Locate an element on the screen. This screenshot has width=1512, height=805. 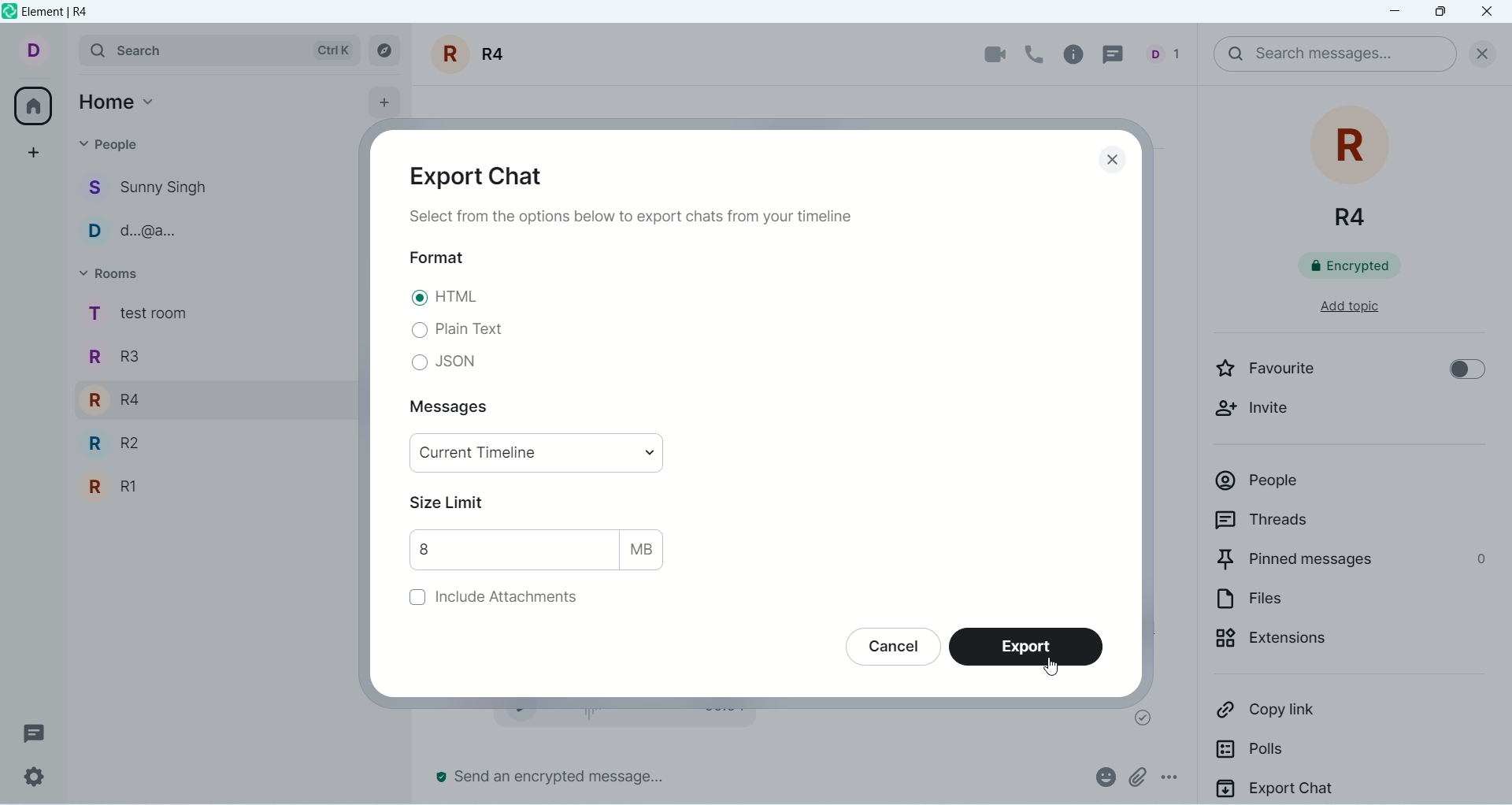
threads is located at coordinates (35, 733).